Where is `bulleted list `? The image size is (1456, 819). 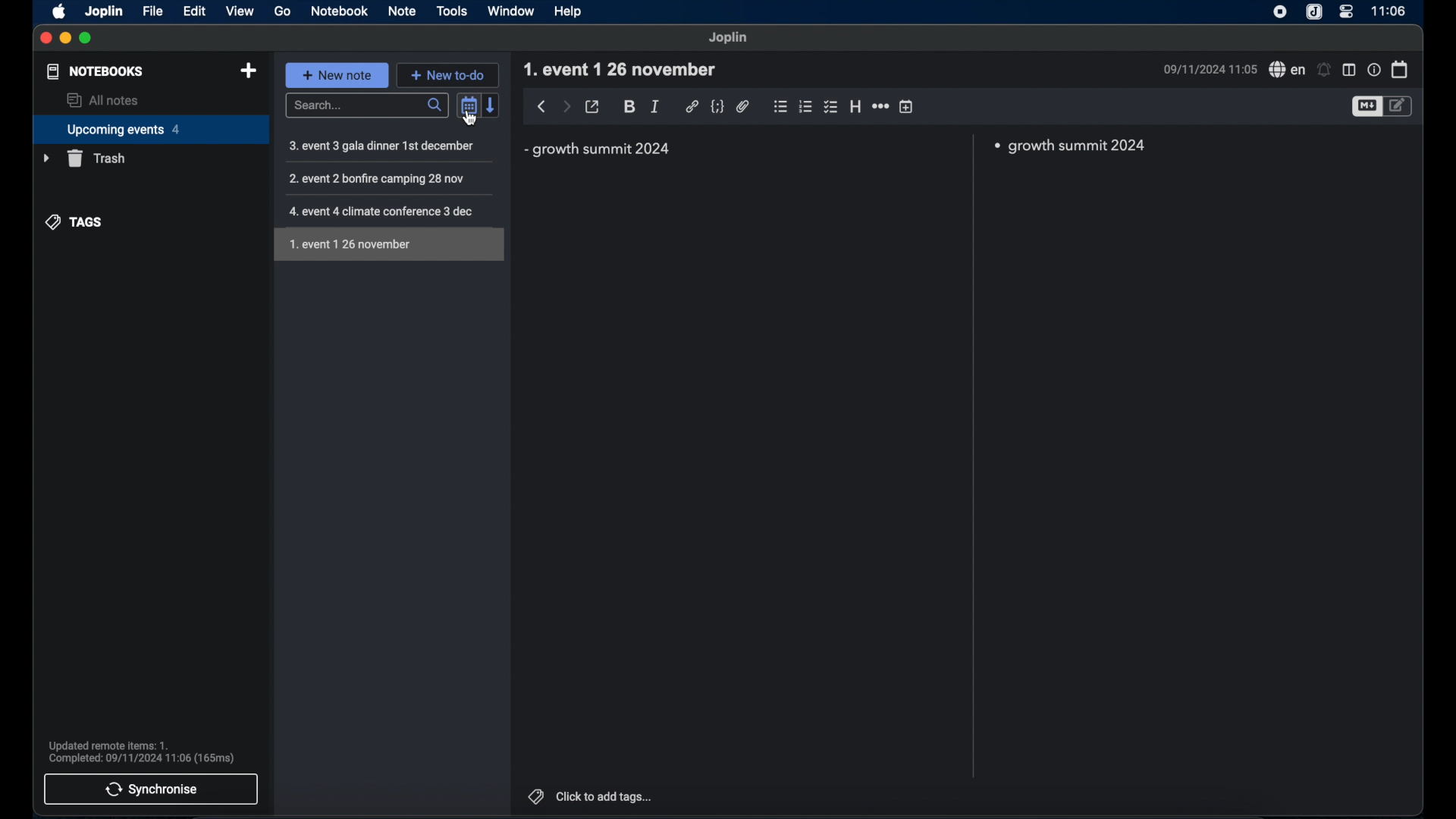 bulleted list  is located at coordinates (780, 108).